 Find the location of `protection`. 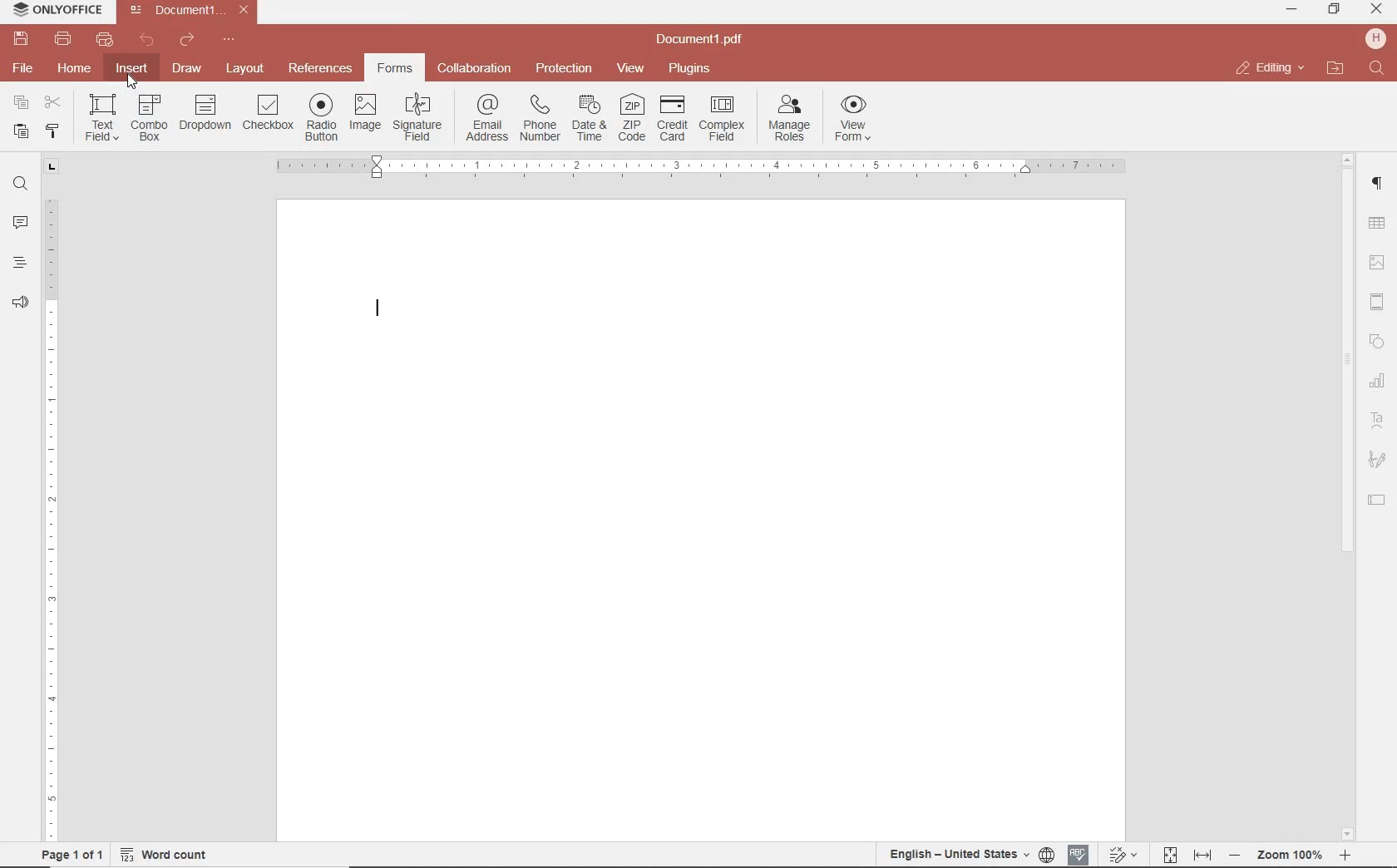

protection is located at coordinates (565, 69).